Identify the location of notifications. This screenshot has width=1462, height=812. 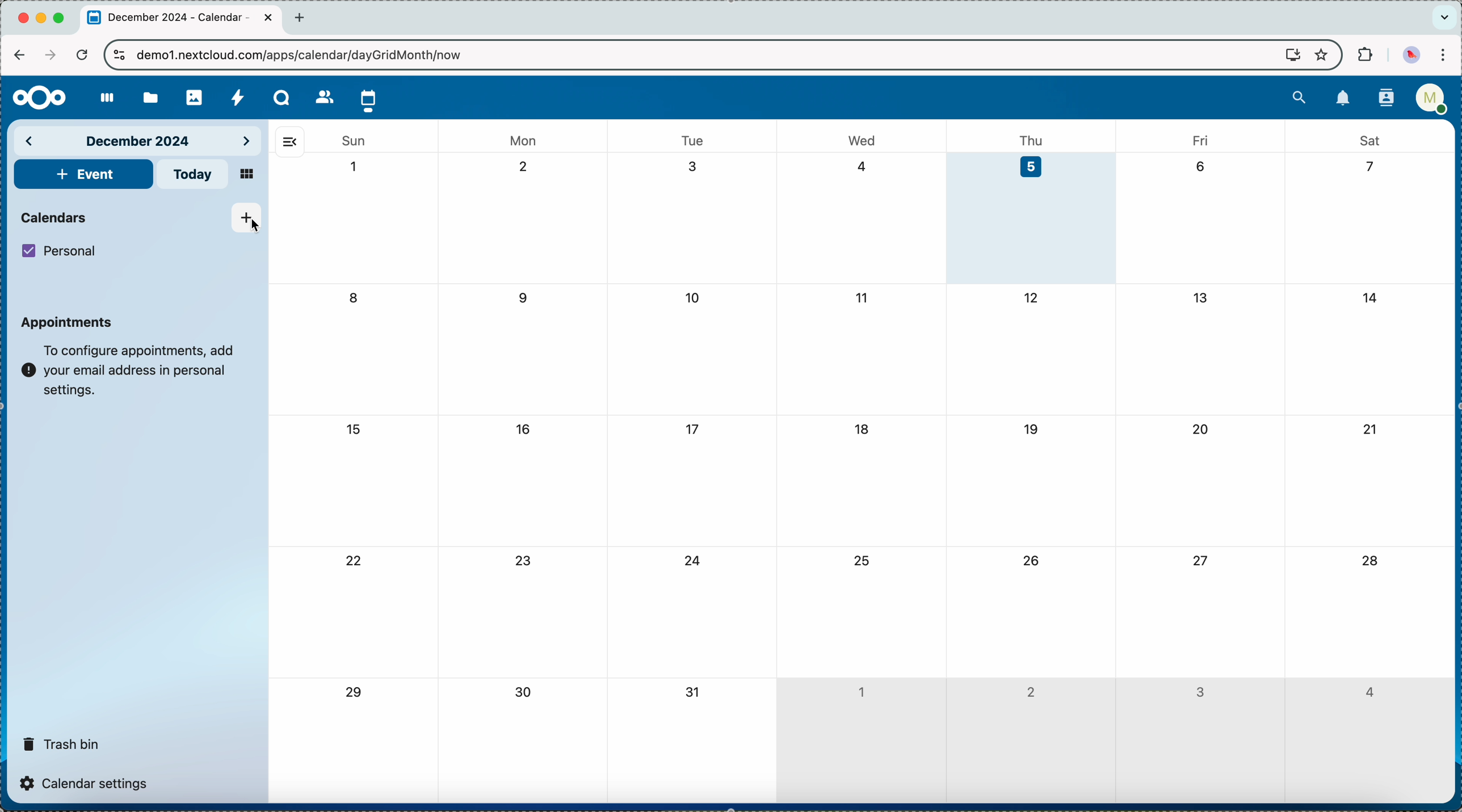
(1343, 99).